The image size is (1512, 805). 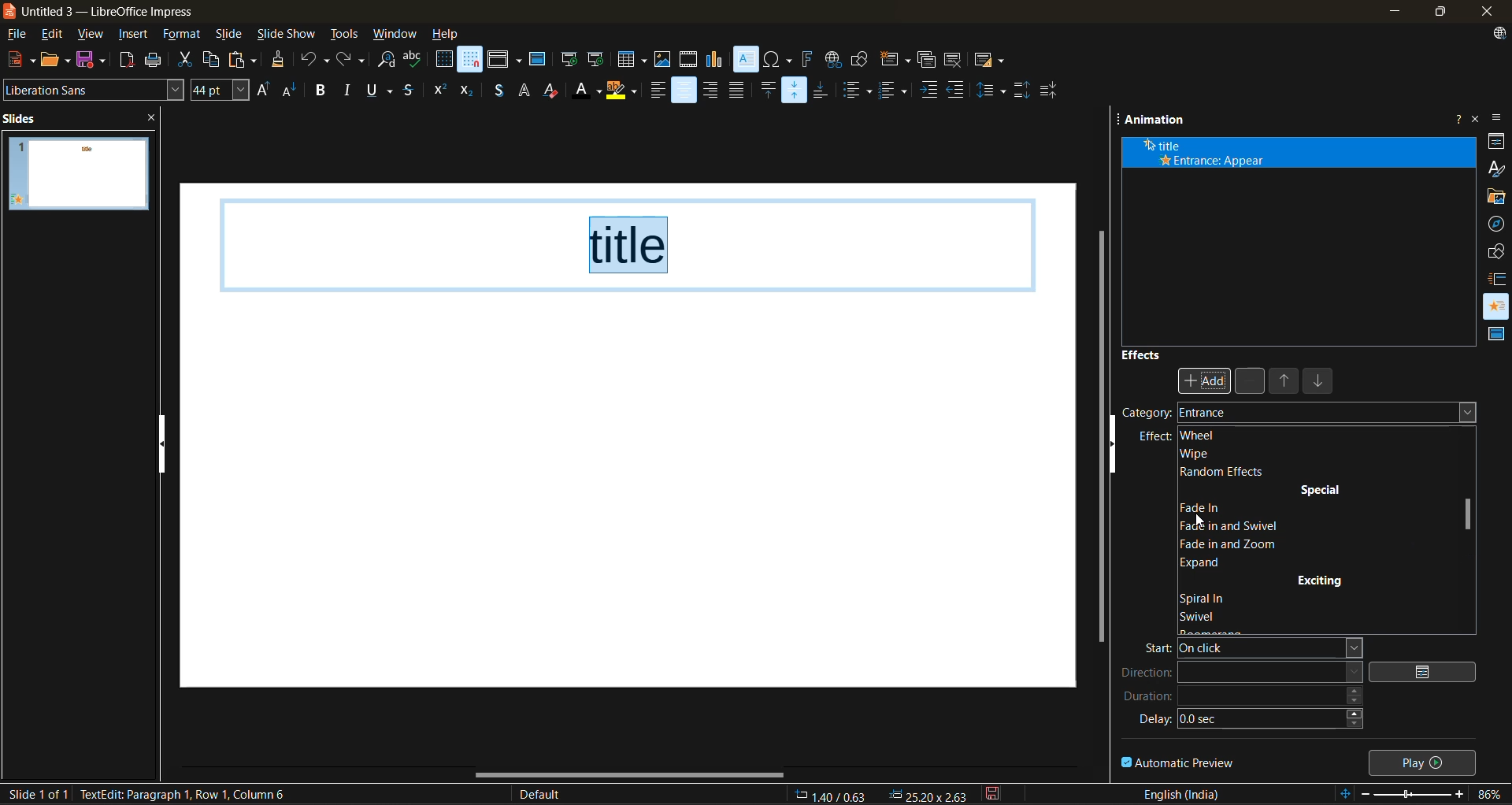 I want to click on slides, so click(x=25, y=117).